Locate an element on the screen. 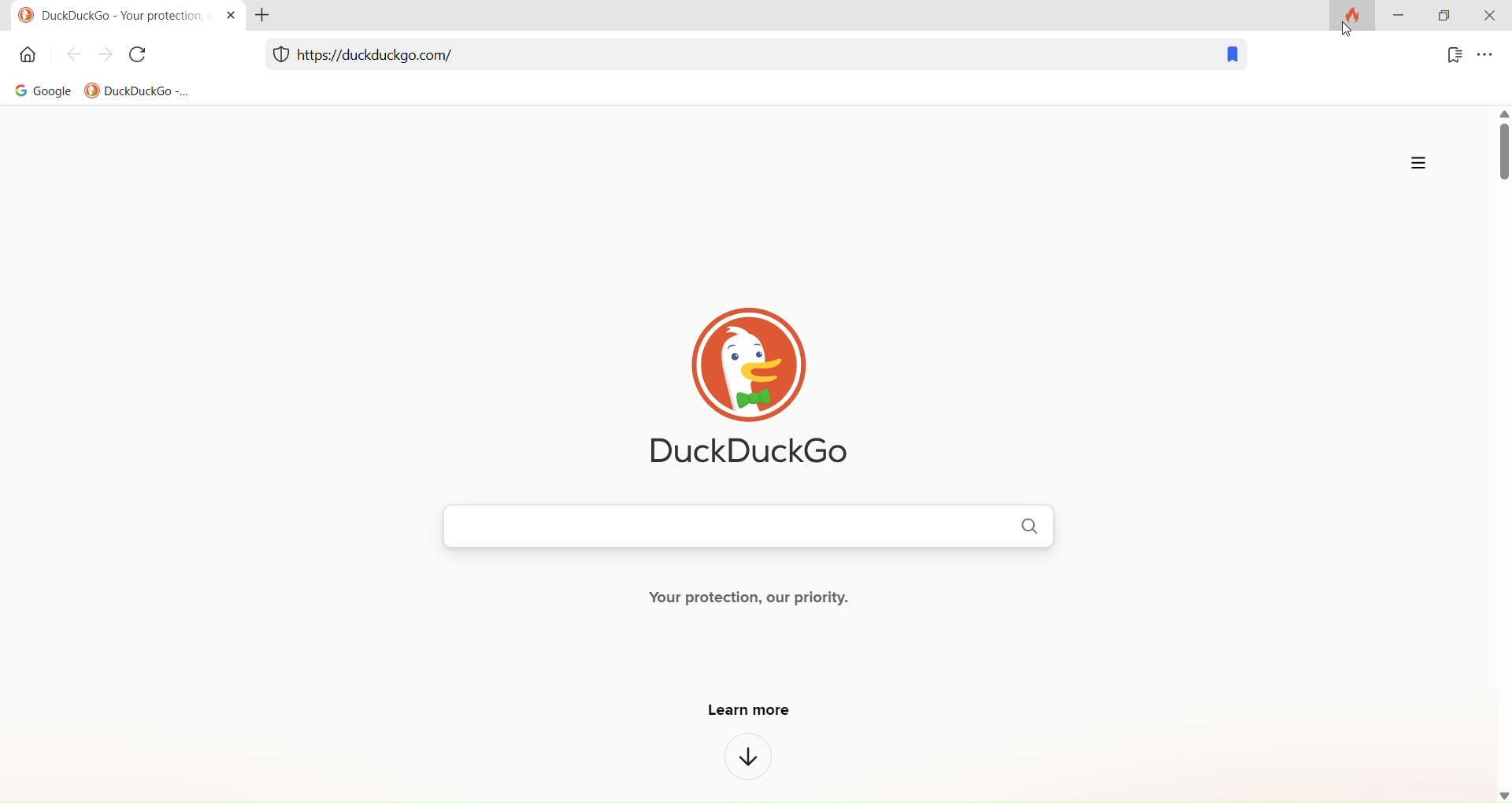  clear tab and clear data button is located at coordinates (1349, 24).